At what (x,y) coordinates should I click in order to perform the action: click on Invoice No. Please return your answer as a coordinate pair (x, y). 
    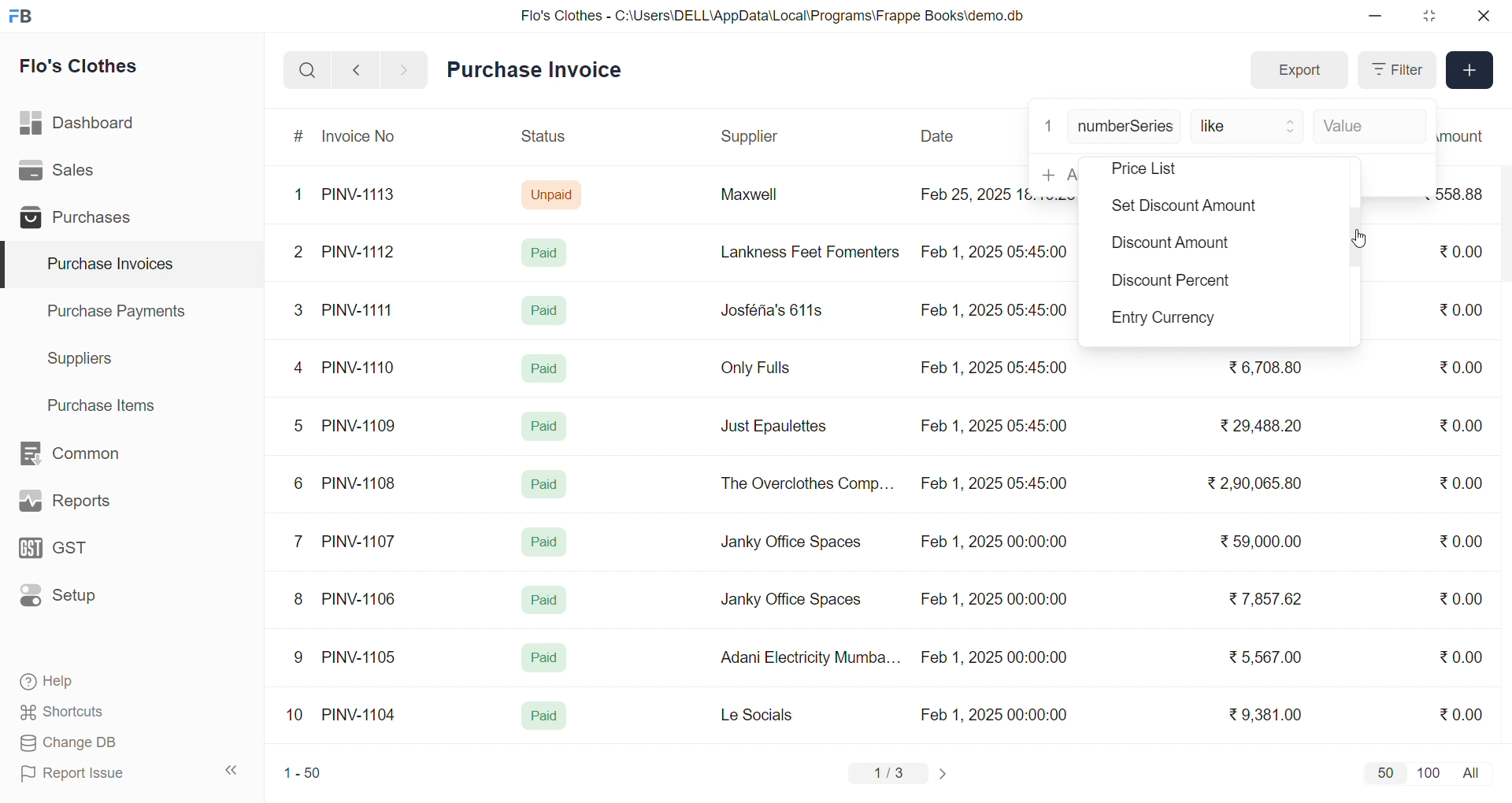
    Looking at the image, I should click on (365, 137).